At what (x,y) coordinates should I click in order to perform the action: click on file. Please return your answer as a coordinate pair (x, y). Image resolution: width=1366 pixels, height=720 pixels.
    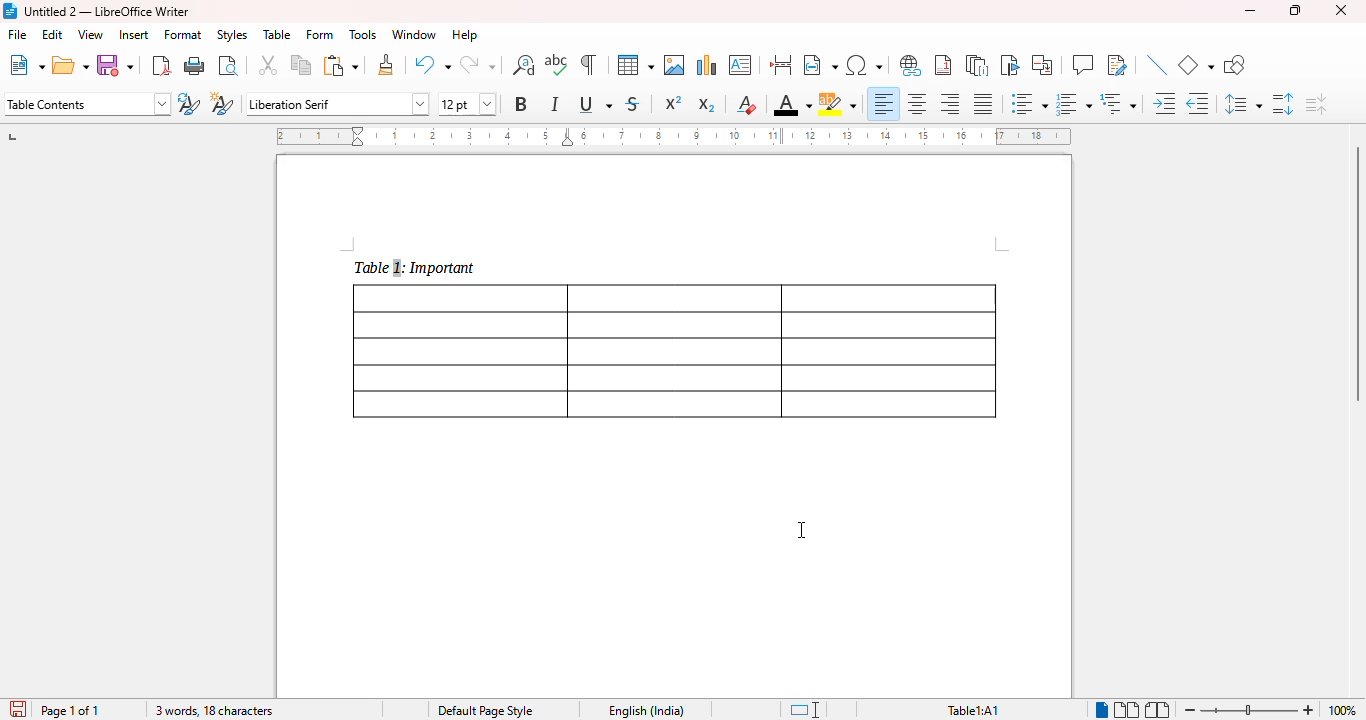
    Looking at the image, I should click on (17, 34).